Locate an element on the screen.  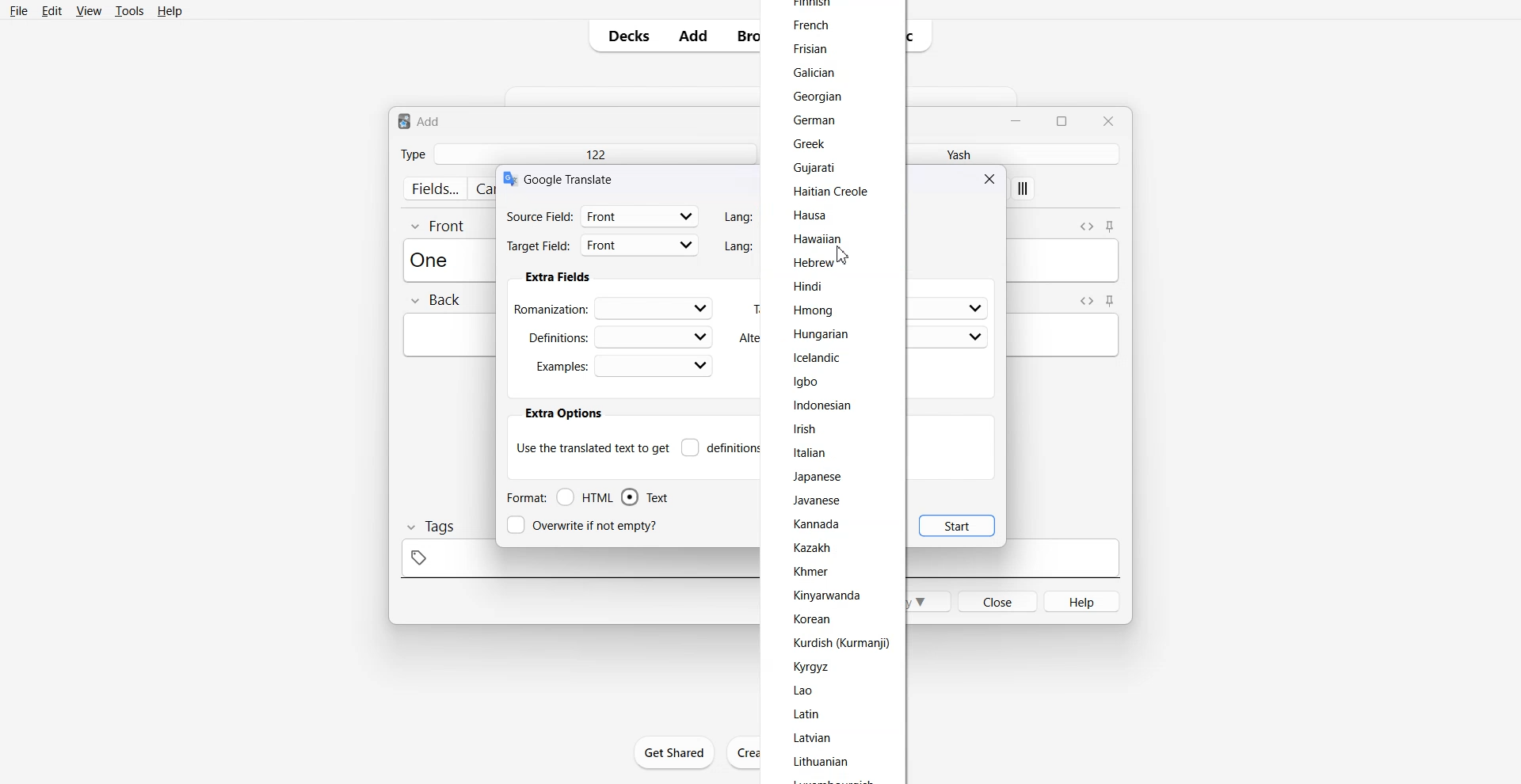
Gujarati is located at coordinates (822, 168).